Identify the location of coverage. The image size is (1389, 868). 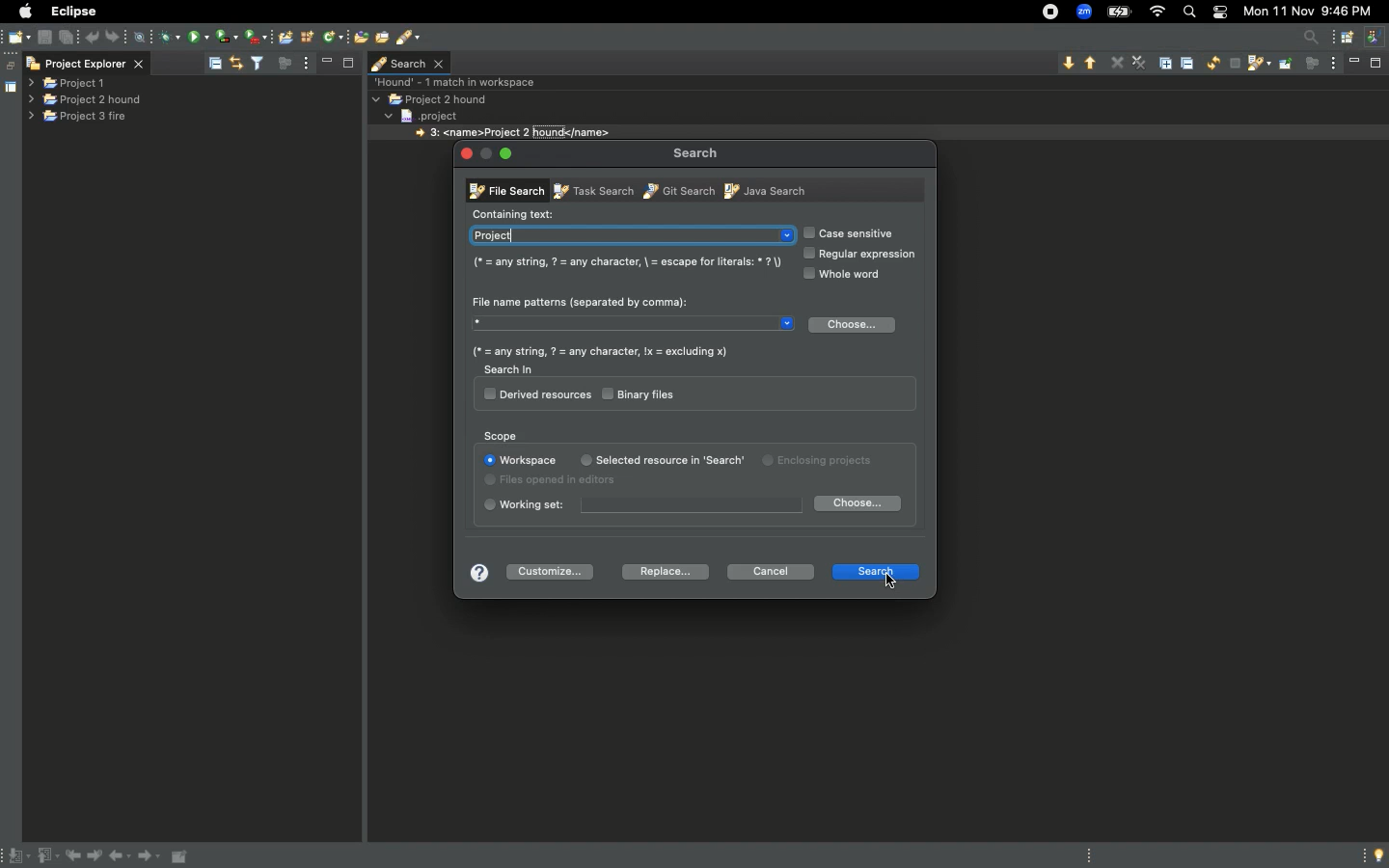
(225, 36).